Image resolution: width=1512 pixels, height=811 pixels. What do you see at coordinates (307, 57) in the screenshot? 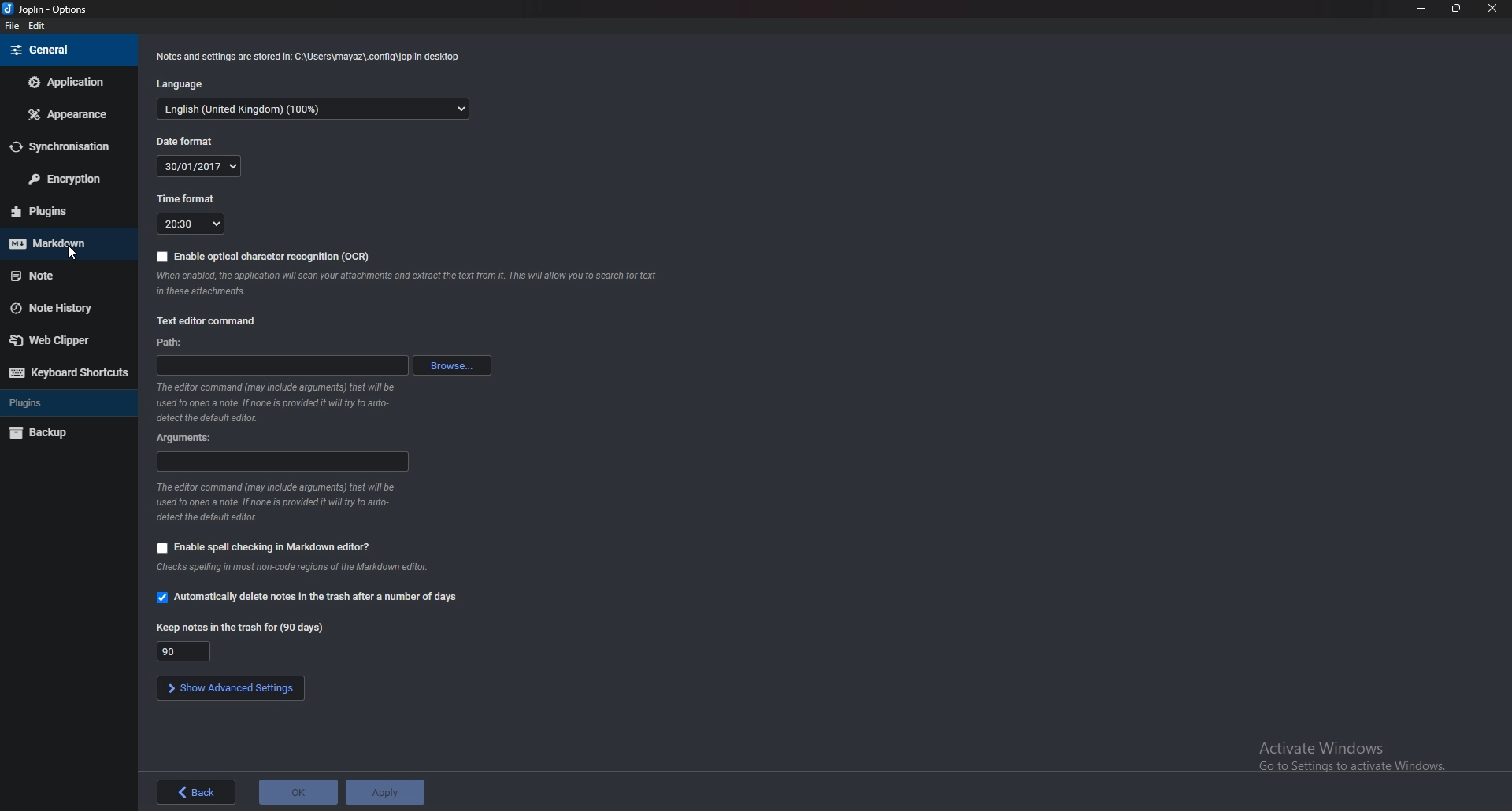
I see `info` at bounding box center [307, 57].